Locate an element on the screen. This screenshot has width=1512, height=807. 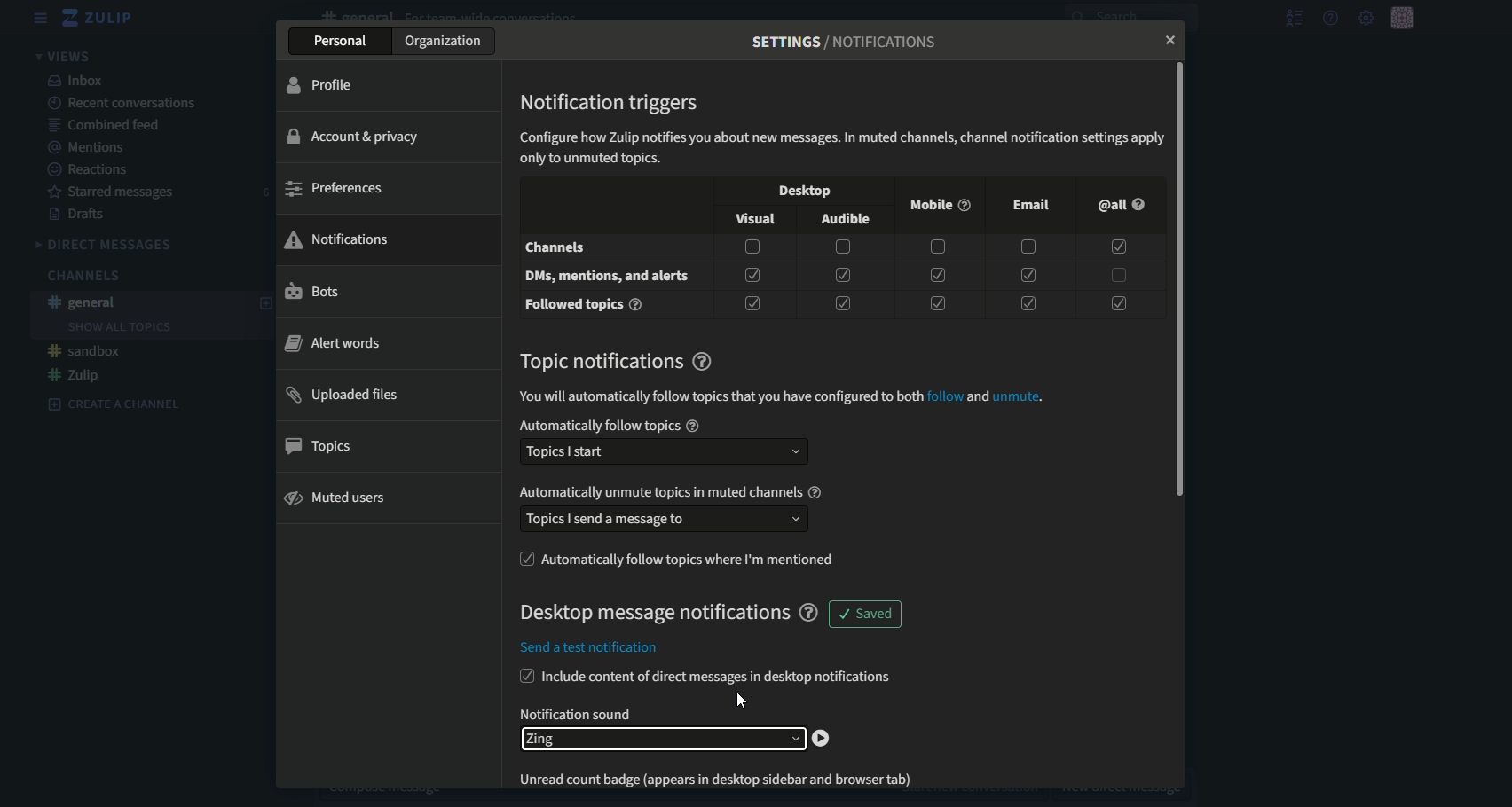
Create a channel is located at coordinates (114, 403).